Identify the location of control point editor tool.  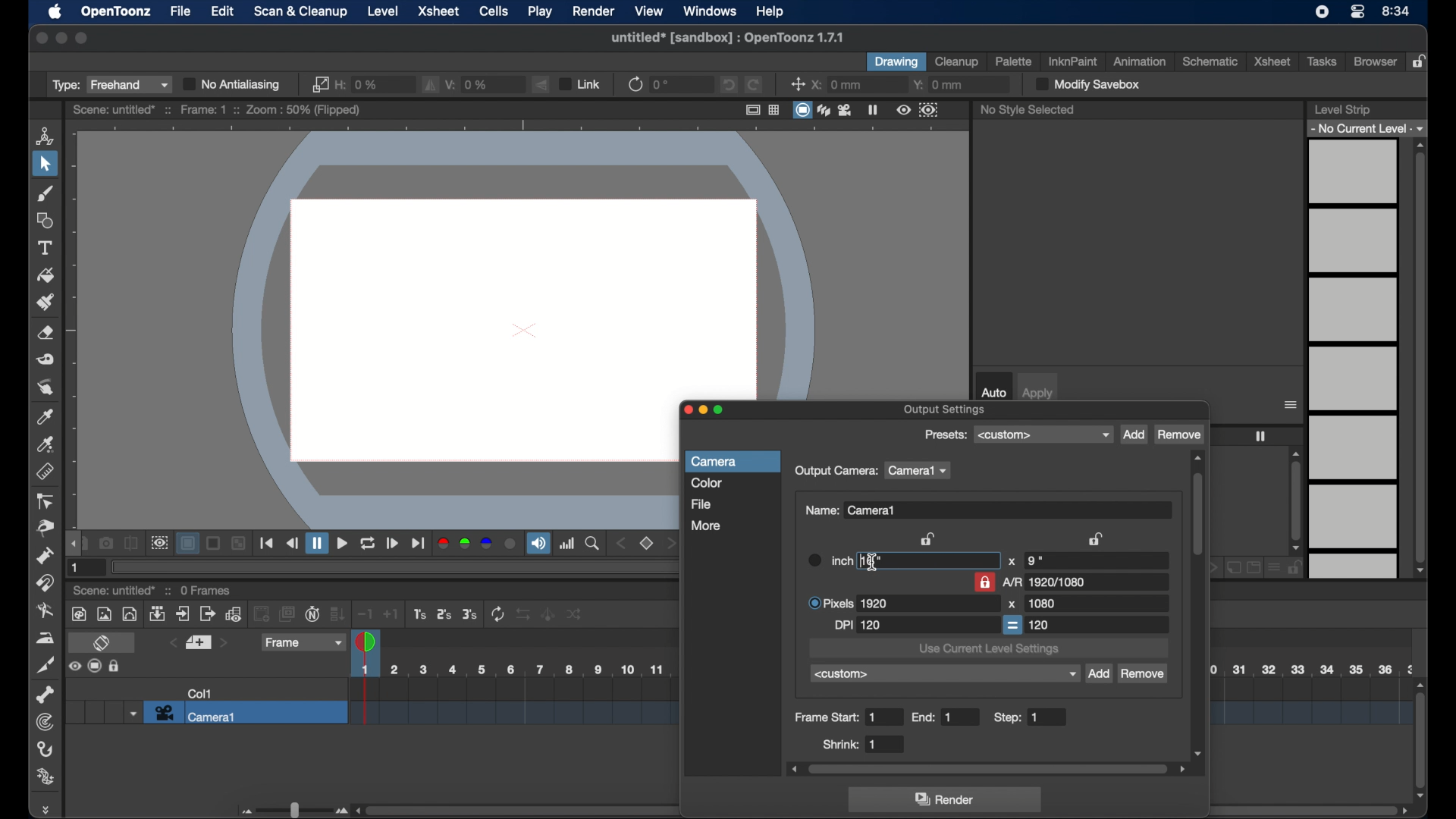
(46, 502).